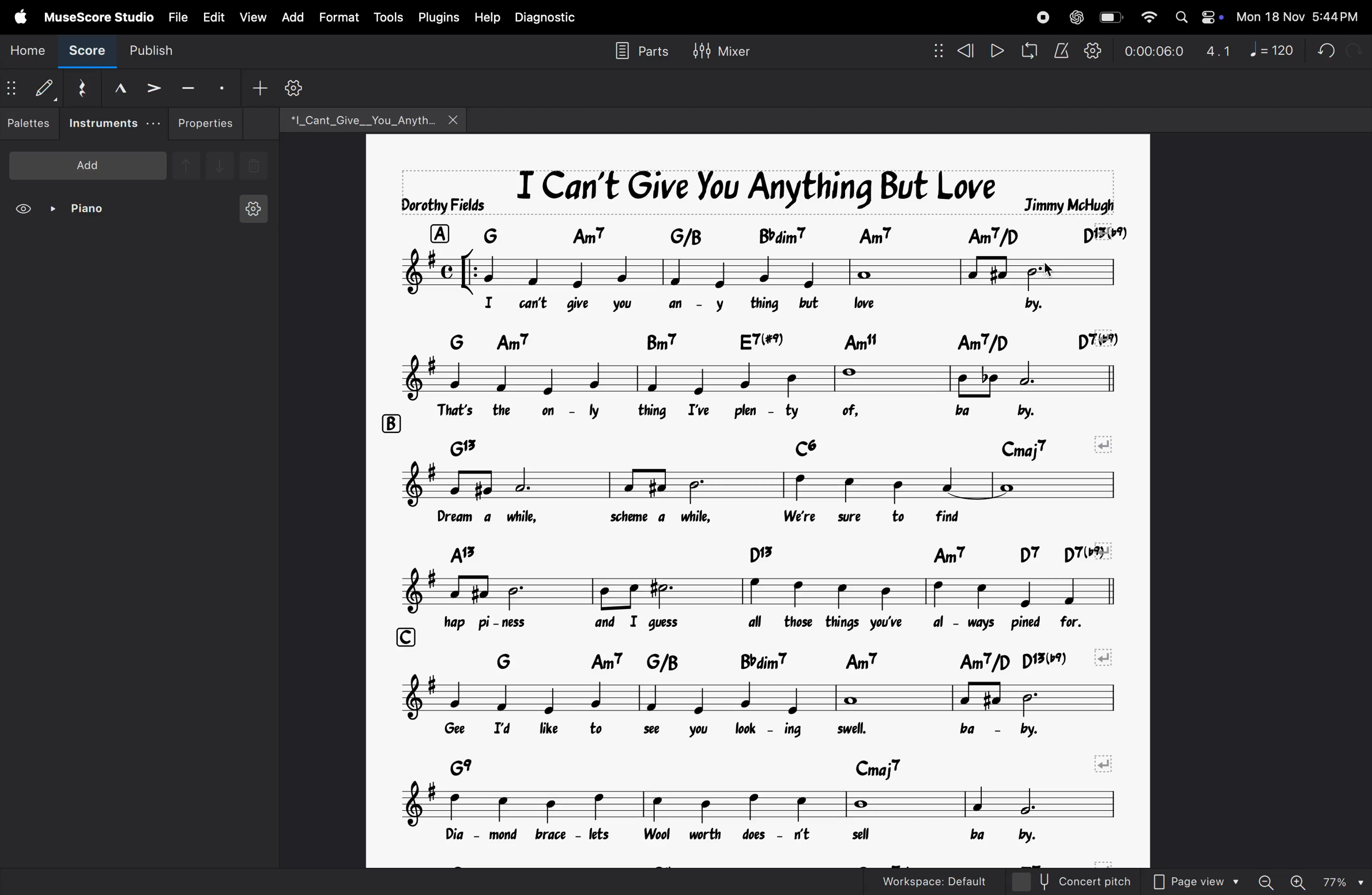 This screenshot has width=1372, height=895. What do you see at coordinates (759, 189) in the screenshot?
I see `music title` at bounding box center [759, 189].